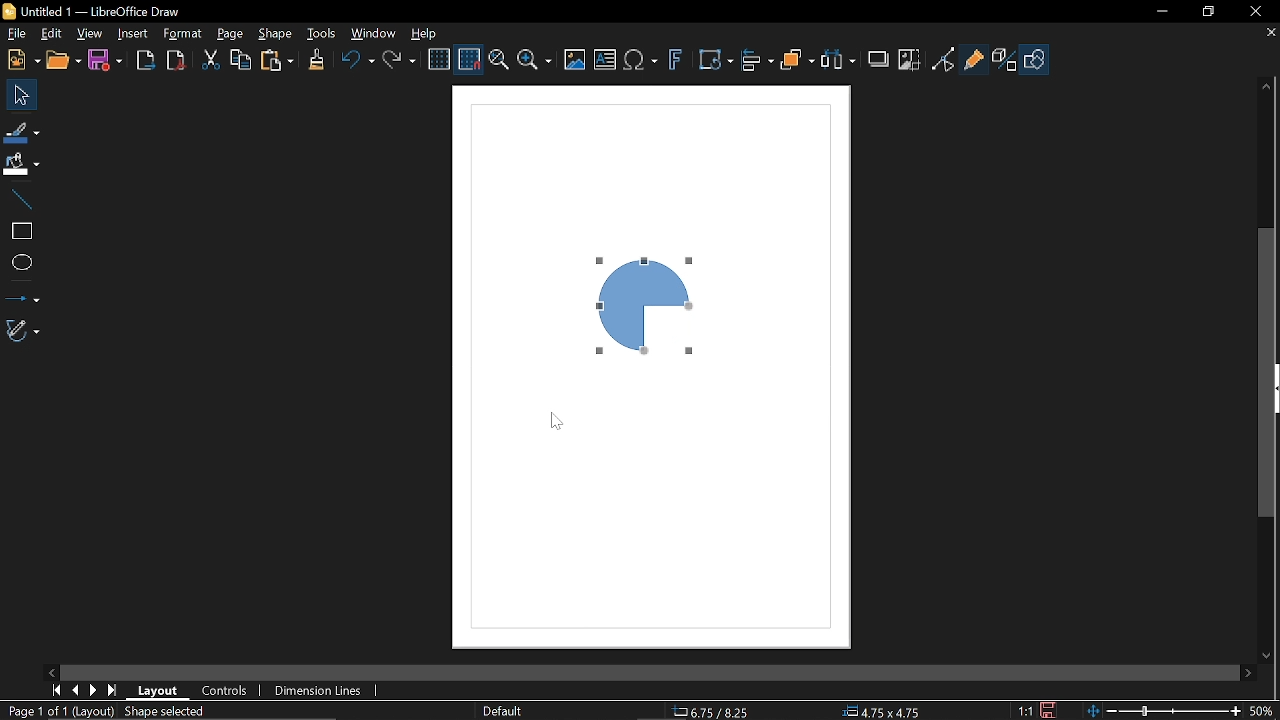 The width and height of the screenshot is (1280, 720). Describe the element at coordinates (278, 34) in the screenshot. I see `Shape` at that location.